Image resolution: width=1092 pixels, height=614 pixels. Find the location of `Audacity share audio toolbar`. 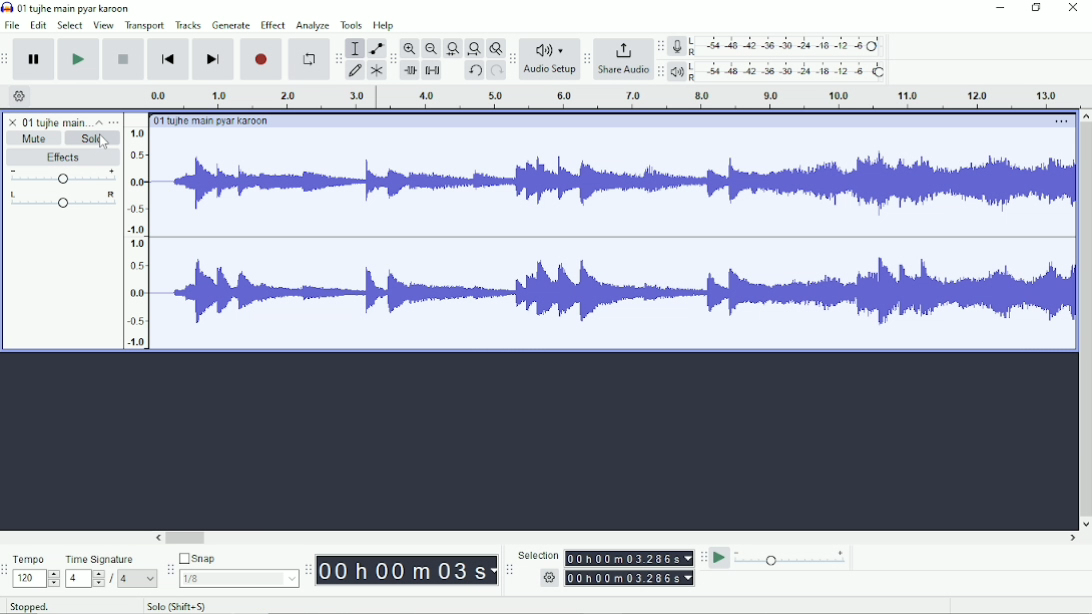

Audacity share audio toolbar is located at coordinates (587, 58).